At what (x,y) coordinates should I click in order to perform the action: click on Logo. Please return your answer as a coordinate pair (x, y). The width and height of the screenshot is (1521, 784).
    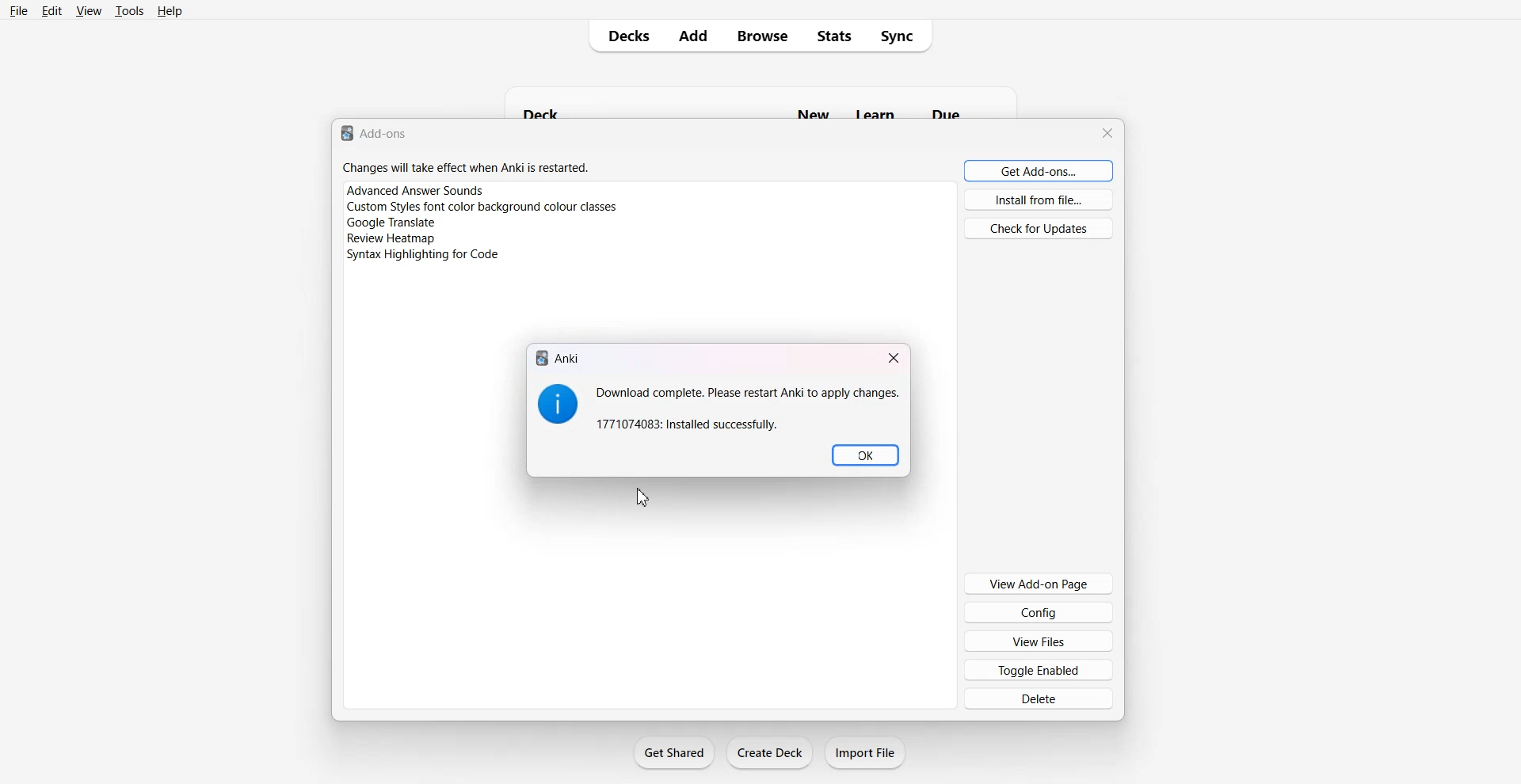
    Looking at the image, I should click on (558, 404).